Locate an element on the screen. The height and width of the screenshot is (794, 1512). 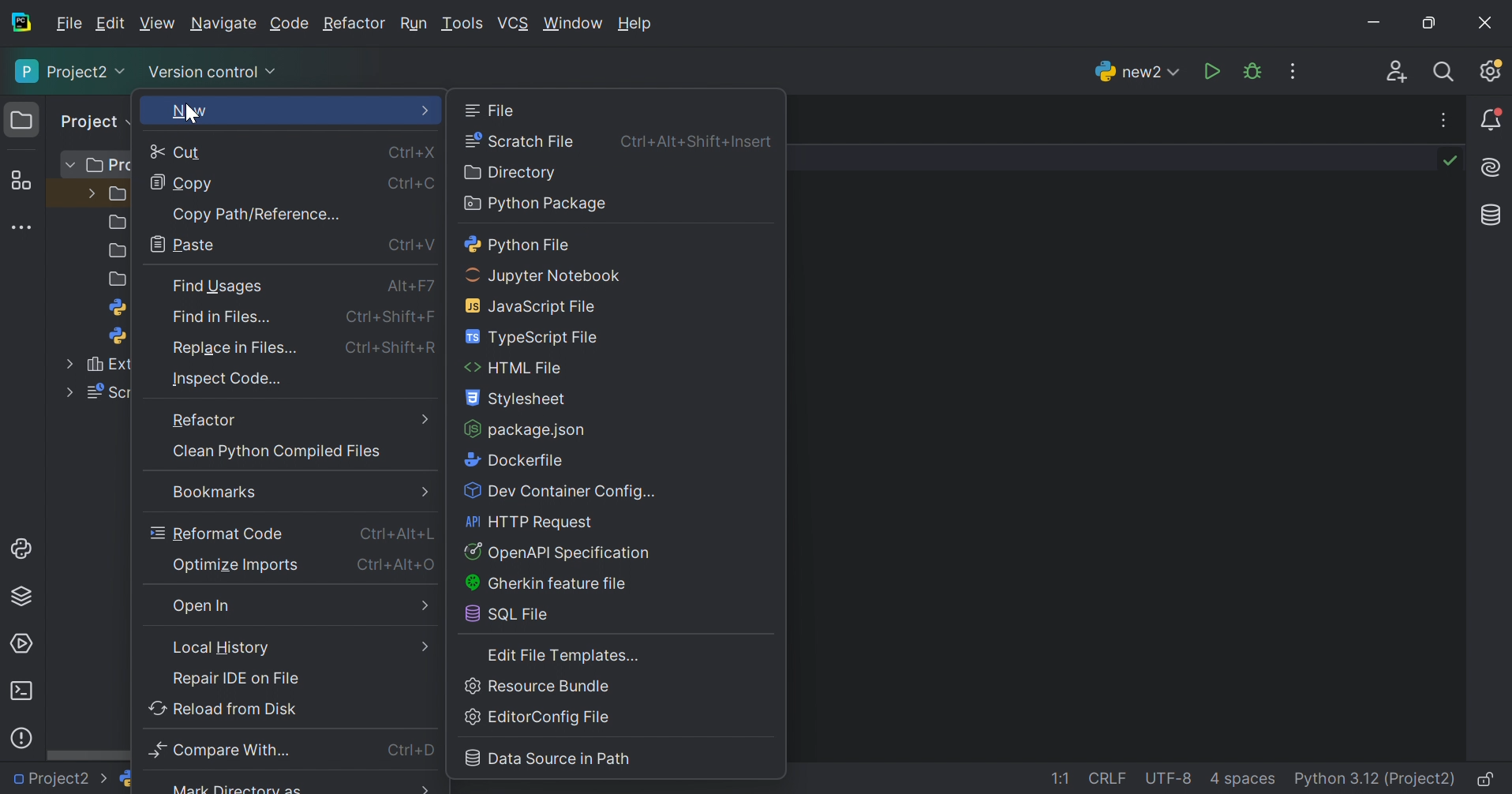
cursor is located at coordinates (192, 116).